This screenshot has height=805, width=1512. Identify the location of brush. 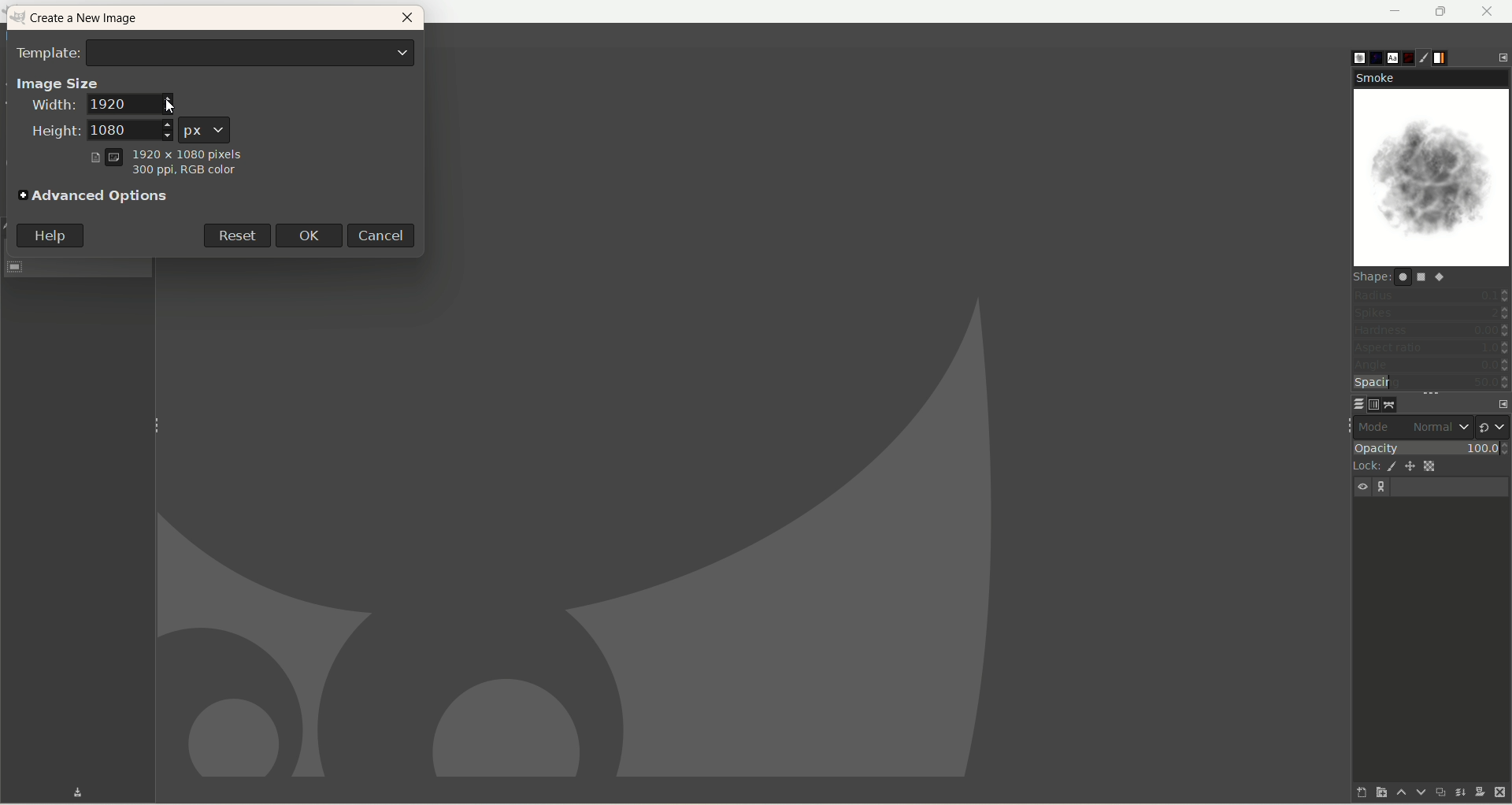
(1348, 54).